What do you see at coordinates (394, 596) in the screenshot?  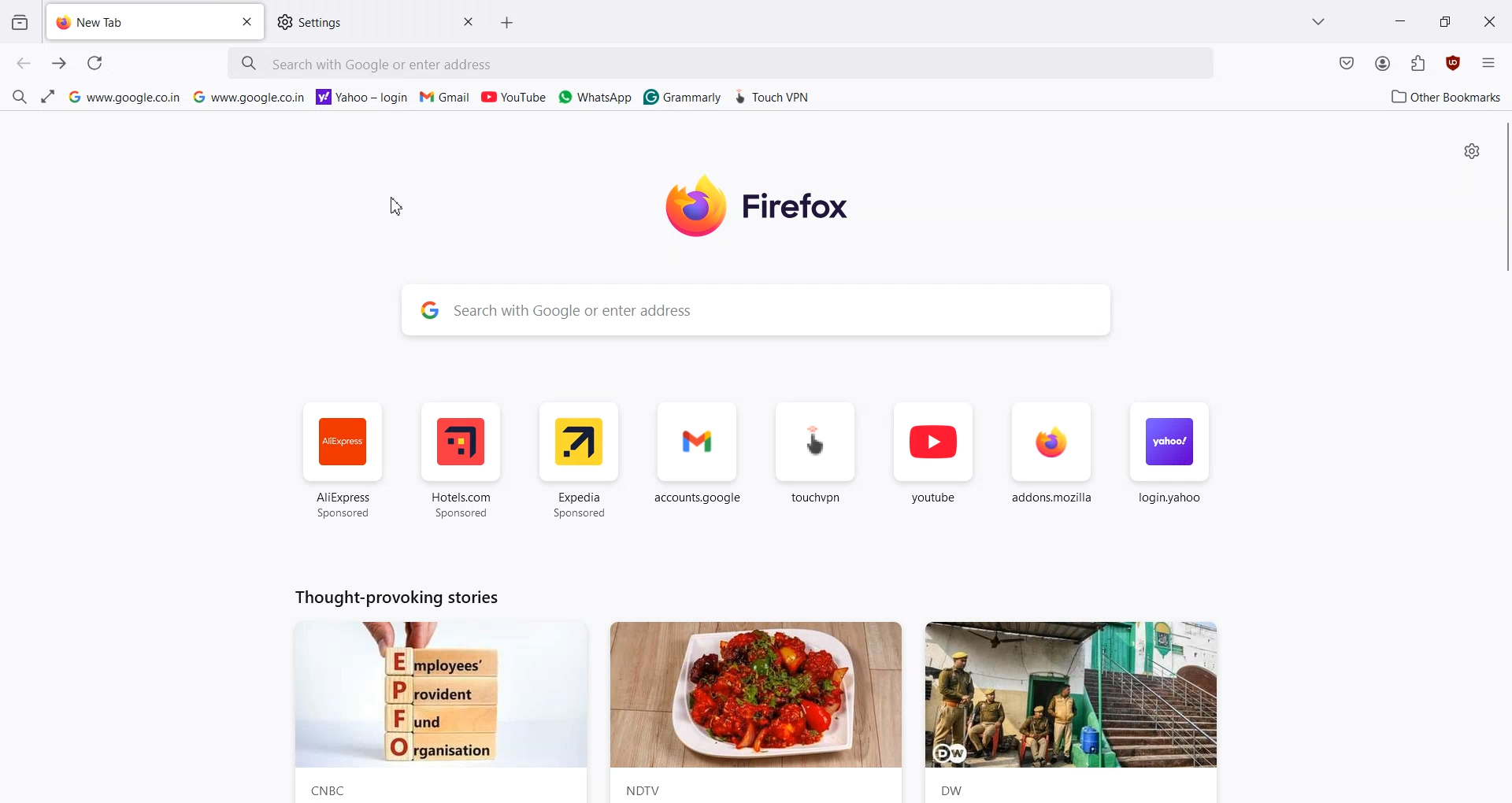 I see `Text` at bounding box center [394, 596].